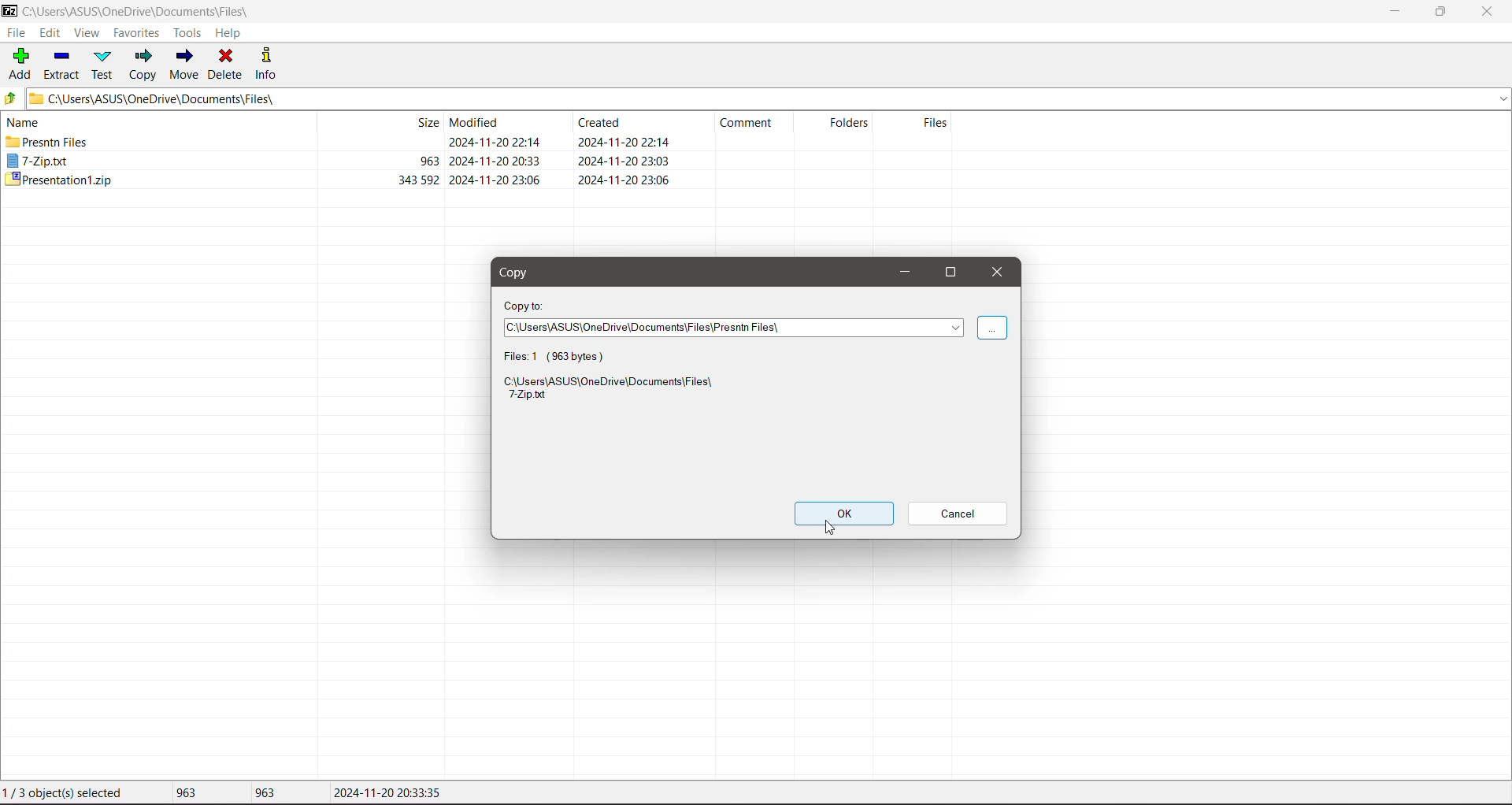 The height and width of the screenshot is (805, 1512). Describe the element at coordinates (843, 512) in the screenshot. I see `OK` at that location.